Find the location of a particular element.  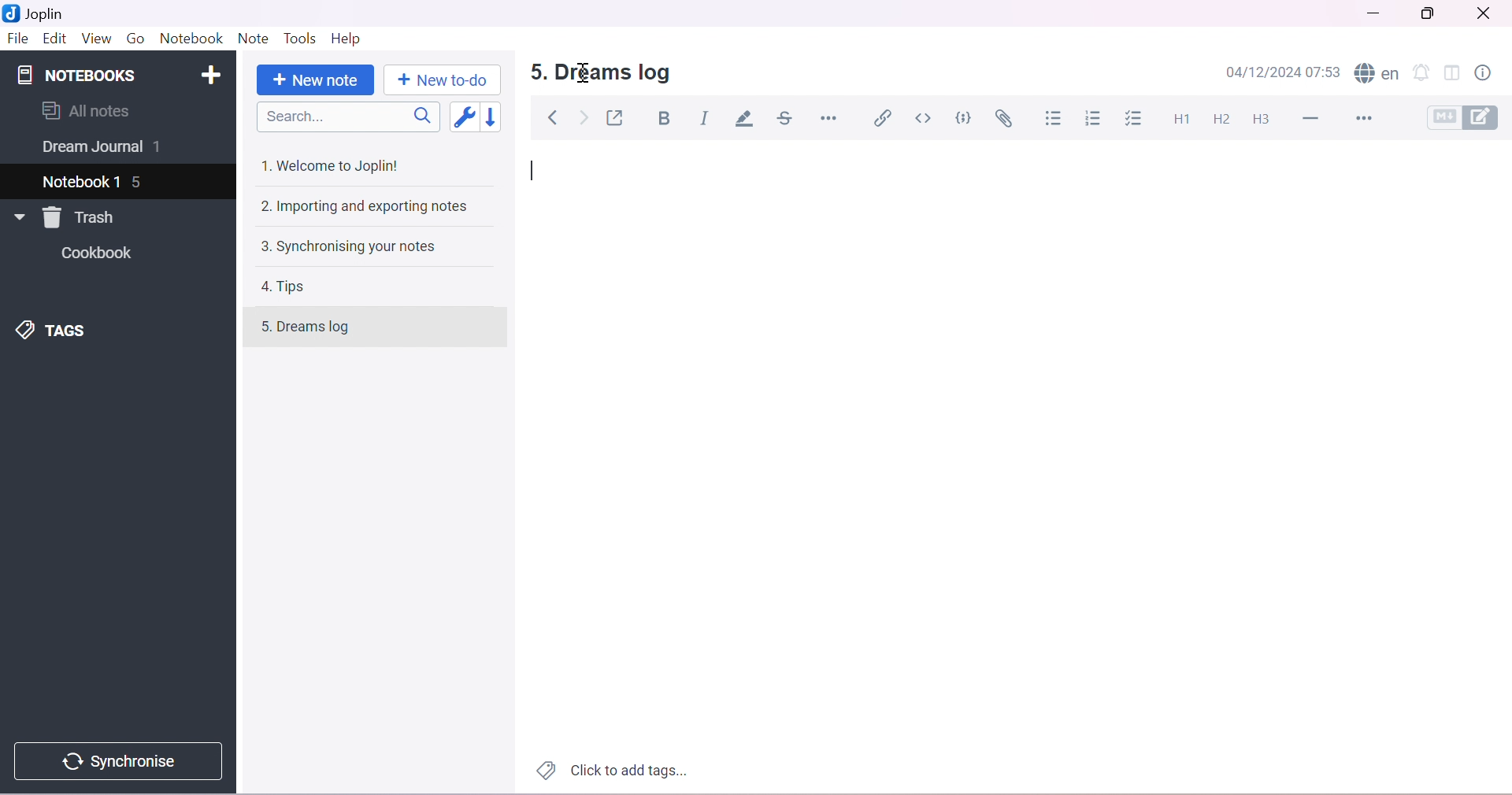

Back is located at coordinates (555, 118).